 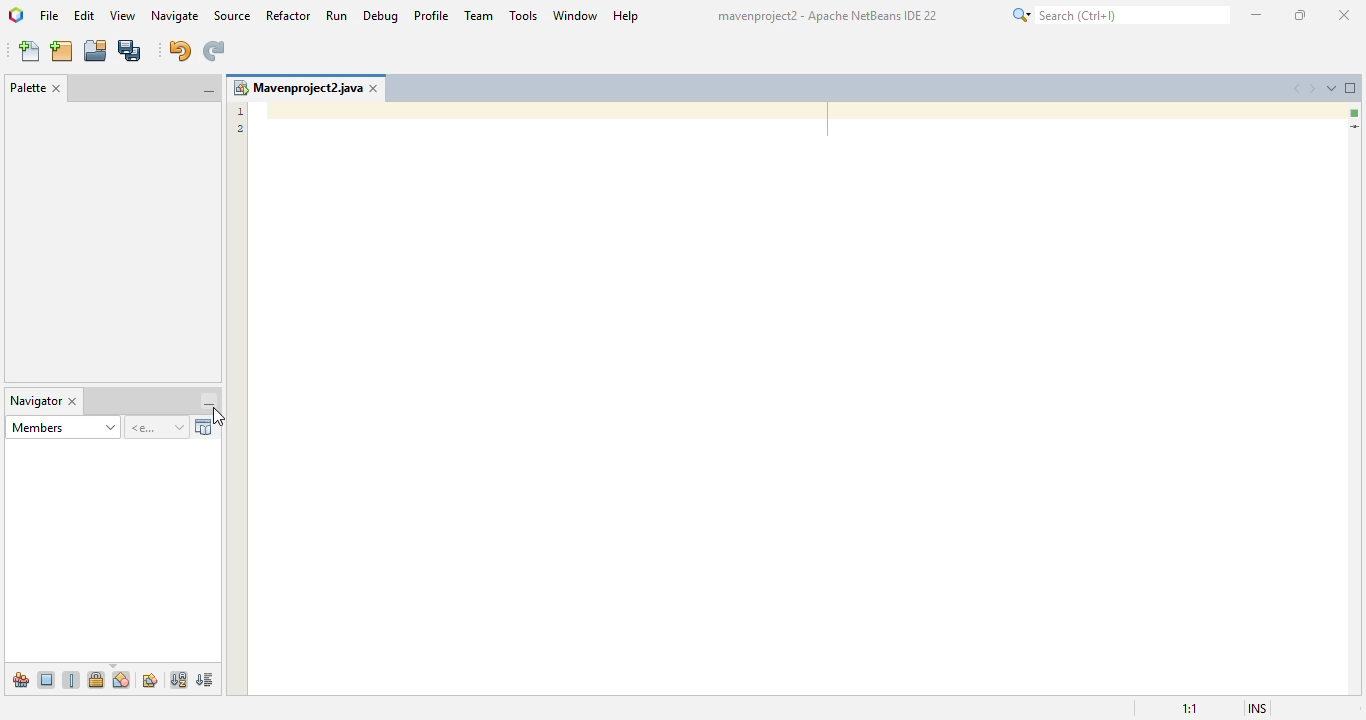 I want to click on close window, so click(x=73, y=402).